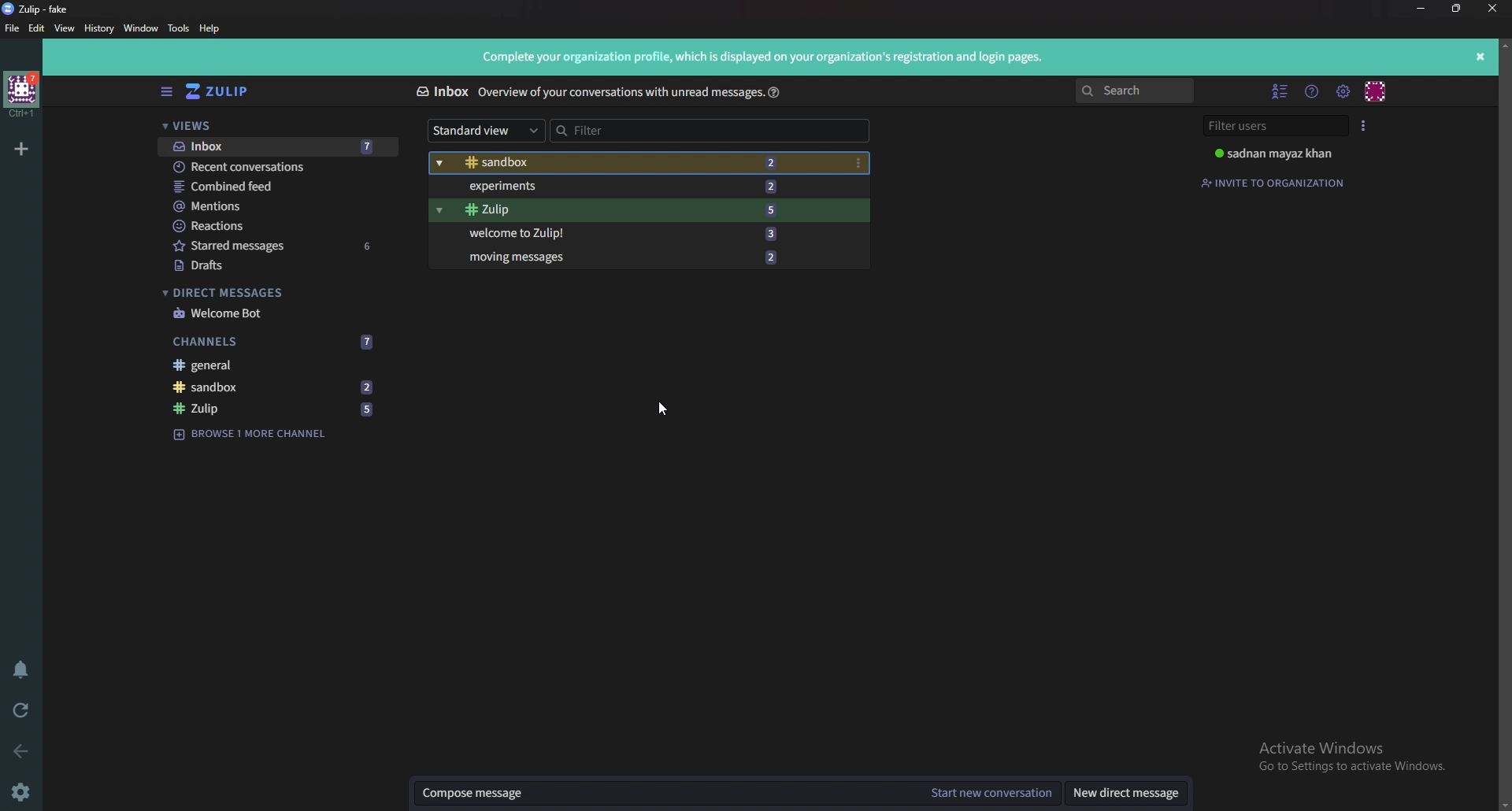  Describe the element at coordinates (167, 92) in the screenshot. I see `Hide side bar` at that location.